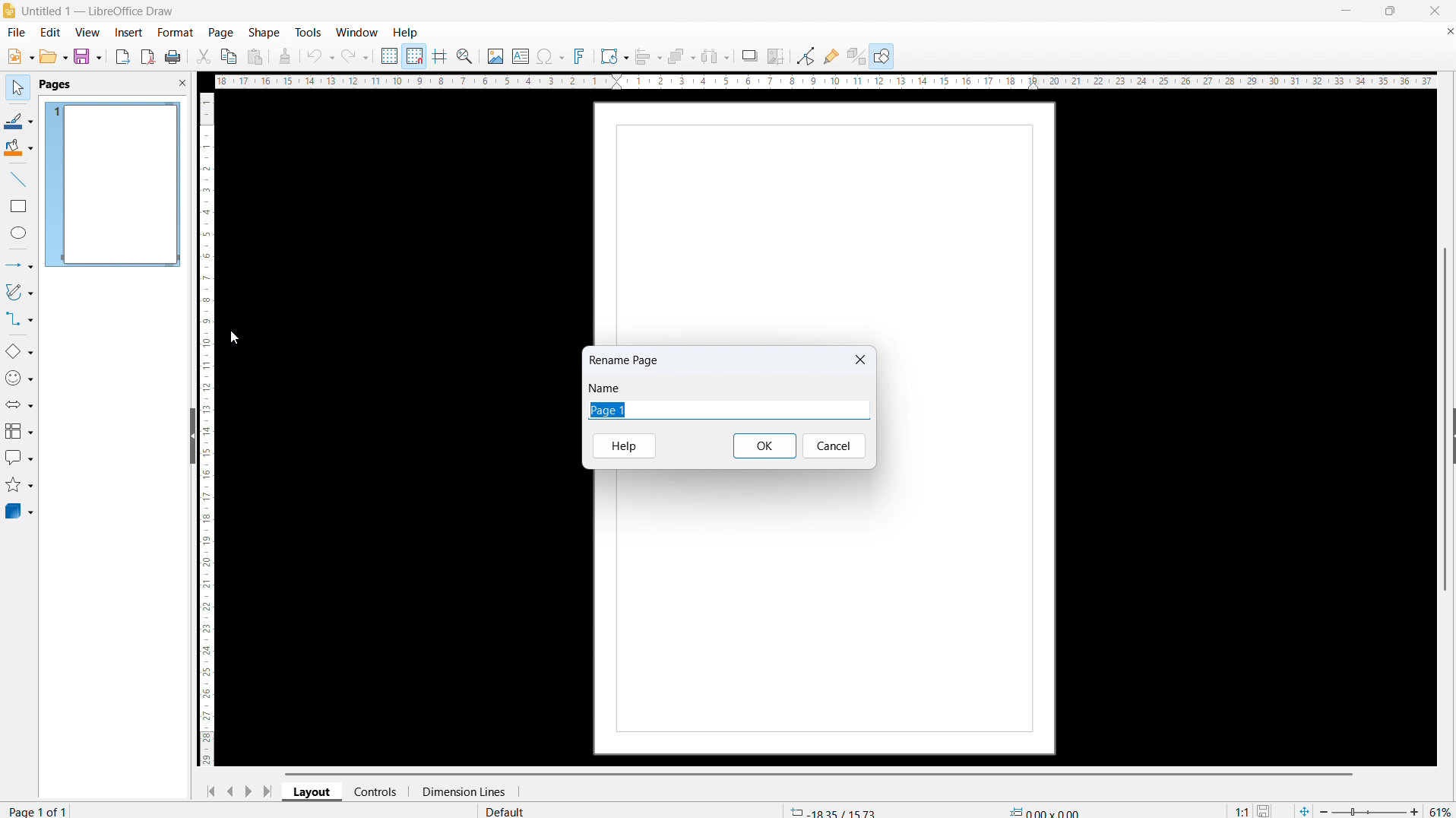  Describe the element at coordinates (505, 811) in the screenshot. I see `default page style` at that location.